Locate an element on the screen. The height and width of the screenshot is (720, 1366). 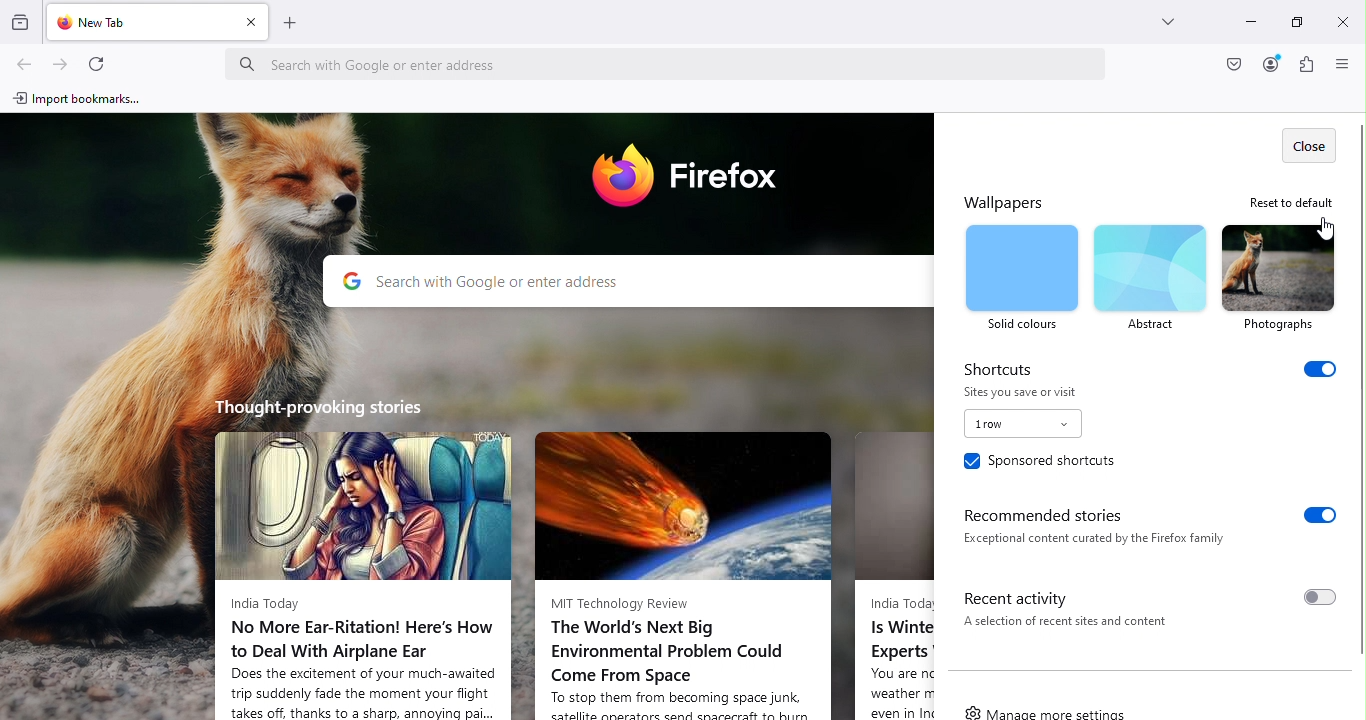
Photographs is located at coordinates (1279, 277).